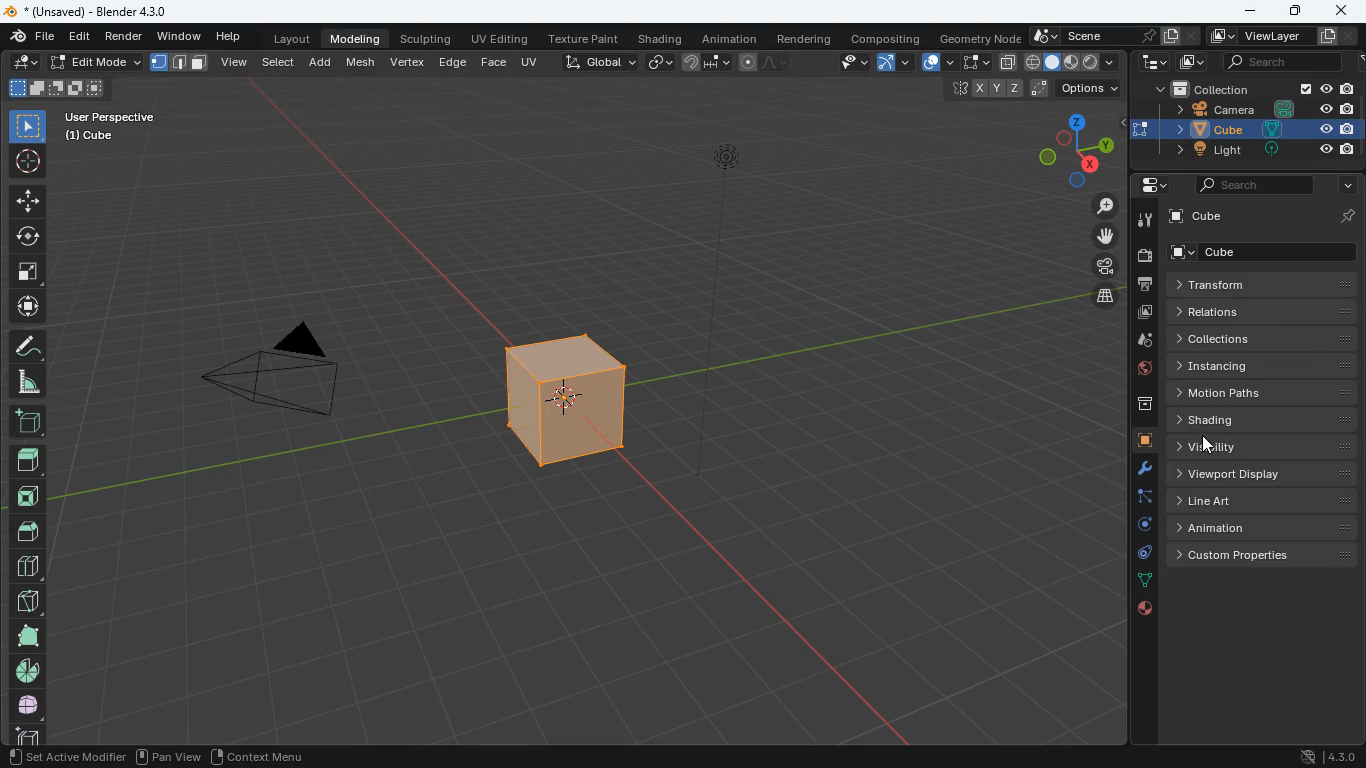  Describe the element at coordinates (1268, 252) in the screenshot. I see `cube` at that location.